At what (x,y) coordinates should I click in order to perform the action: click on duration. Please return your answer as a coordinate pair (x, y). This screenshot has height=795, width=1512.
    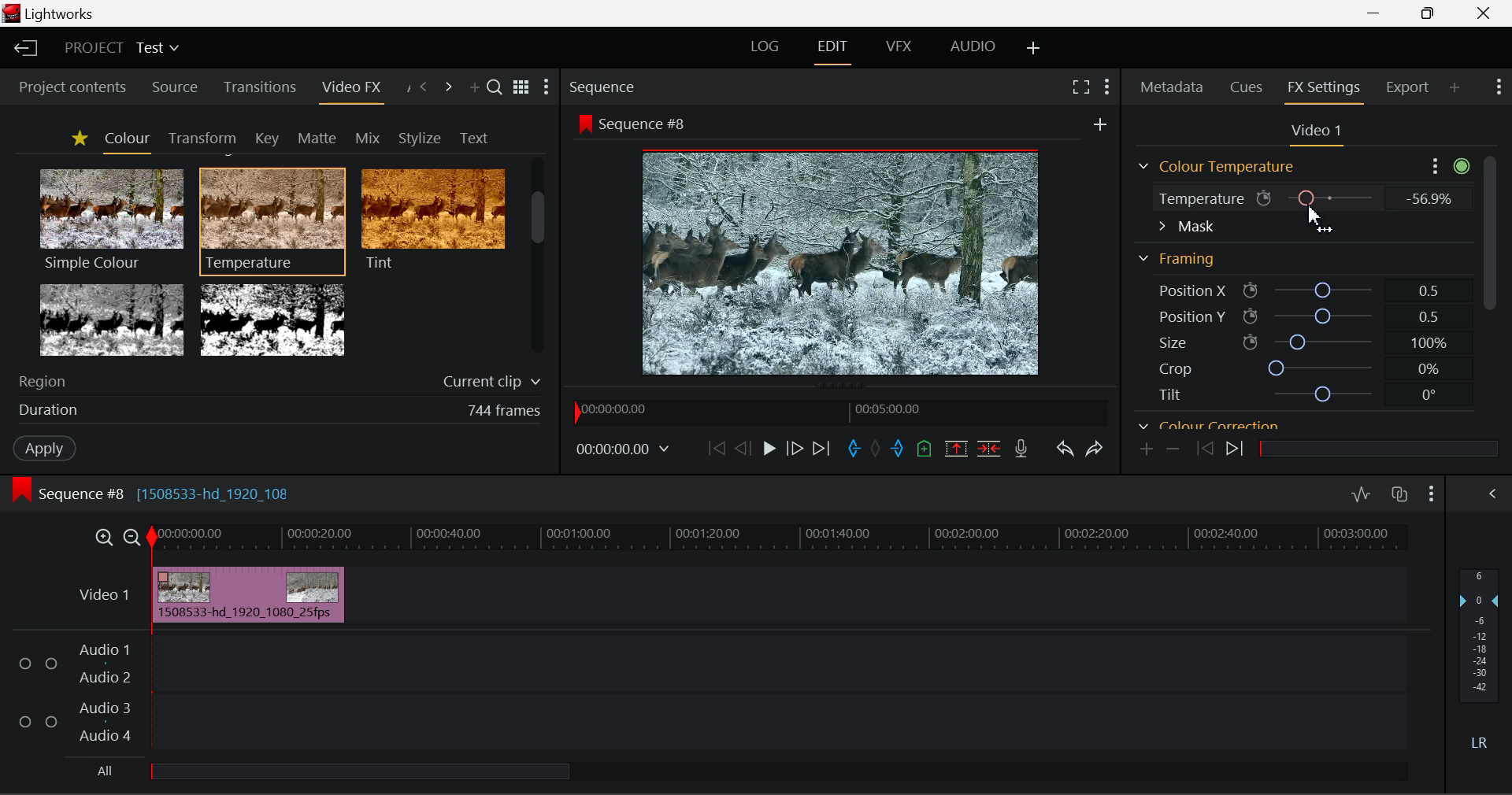
    Looking at the image, I should click on (44, 411).